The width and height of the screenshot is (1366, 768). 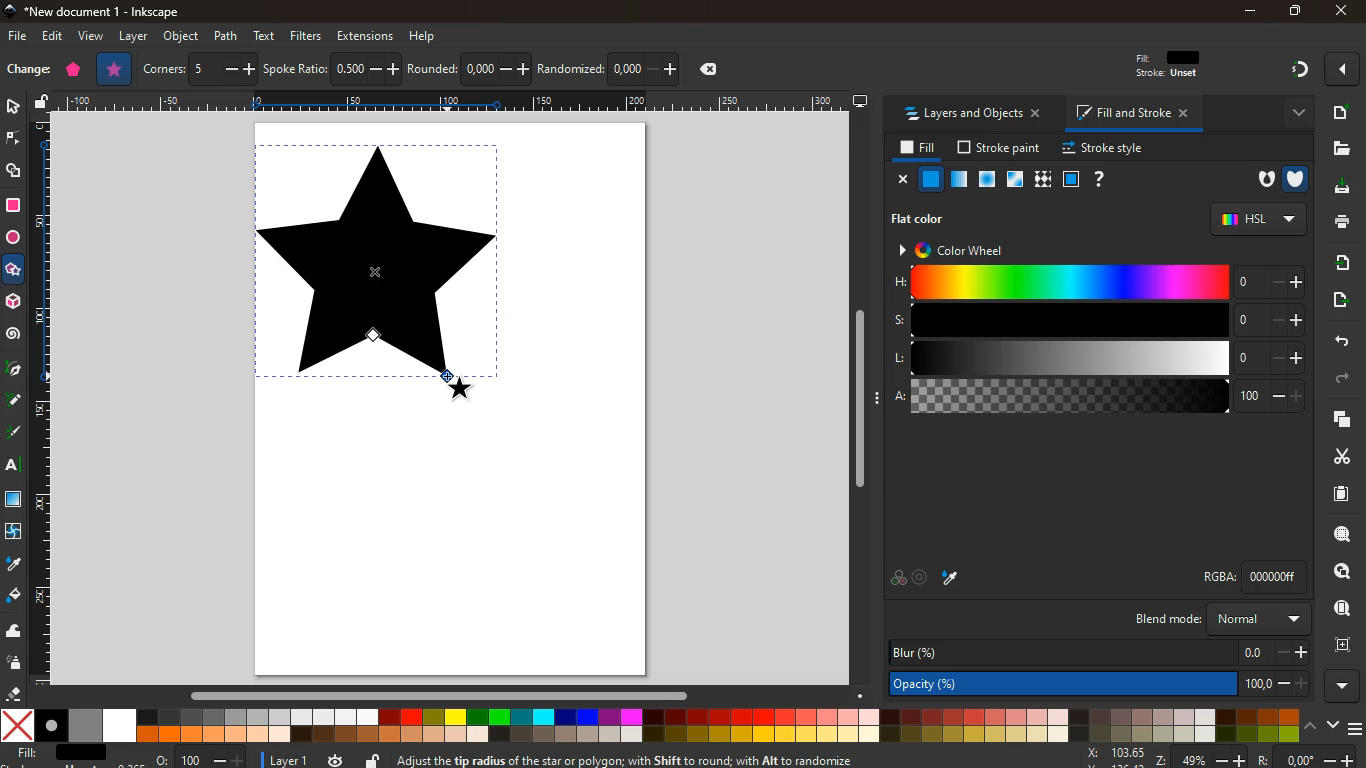 What do you see at coordinates (44, 103) in the screenshot?
I see `unlock` at bounding box center [44, 103].